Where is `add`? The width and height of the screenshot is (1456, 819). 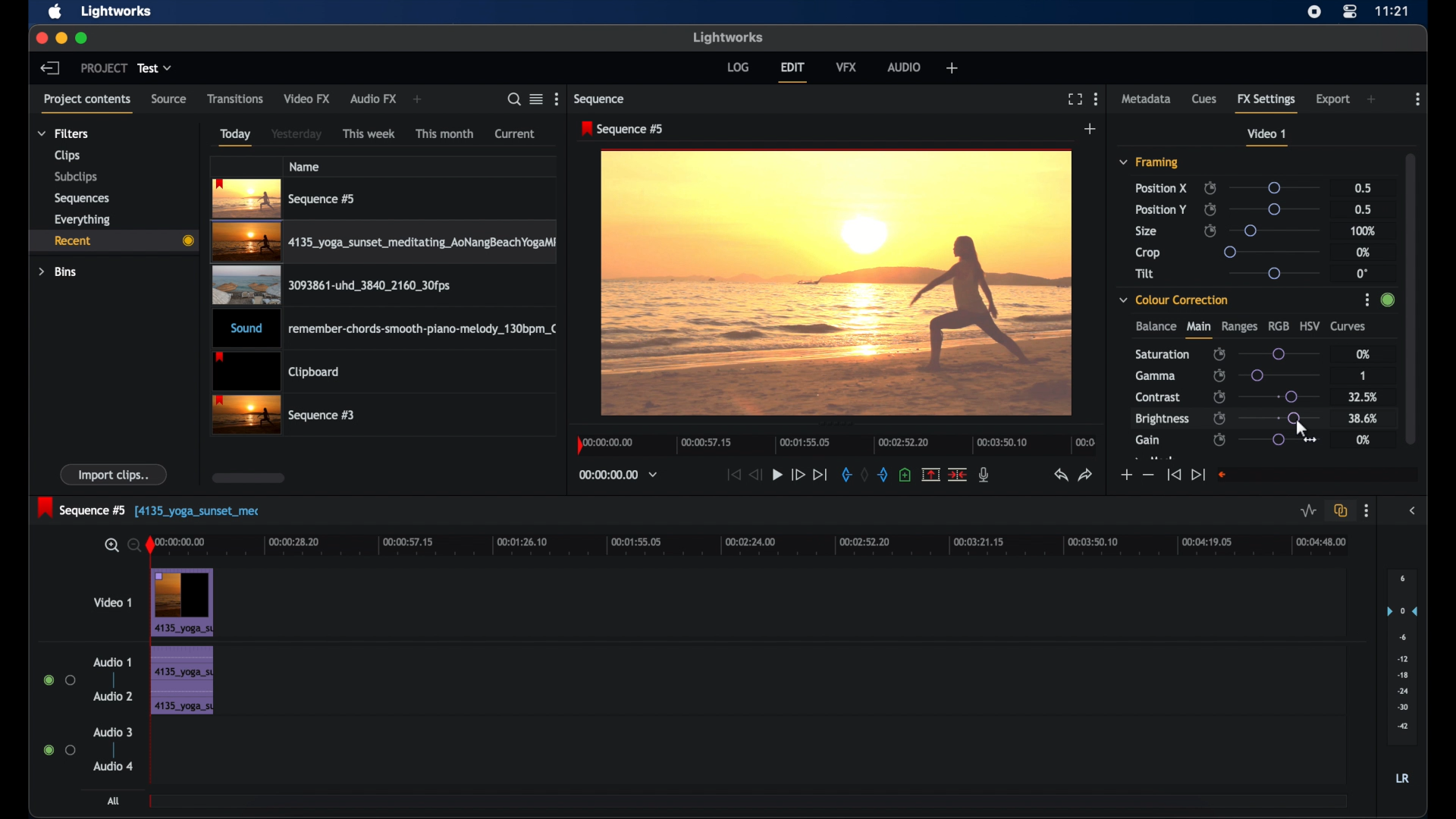
add is located at coordinates (1090, 129).